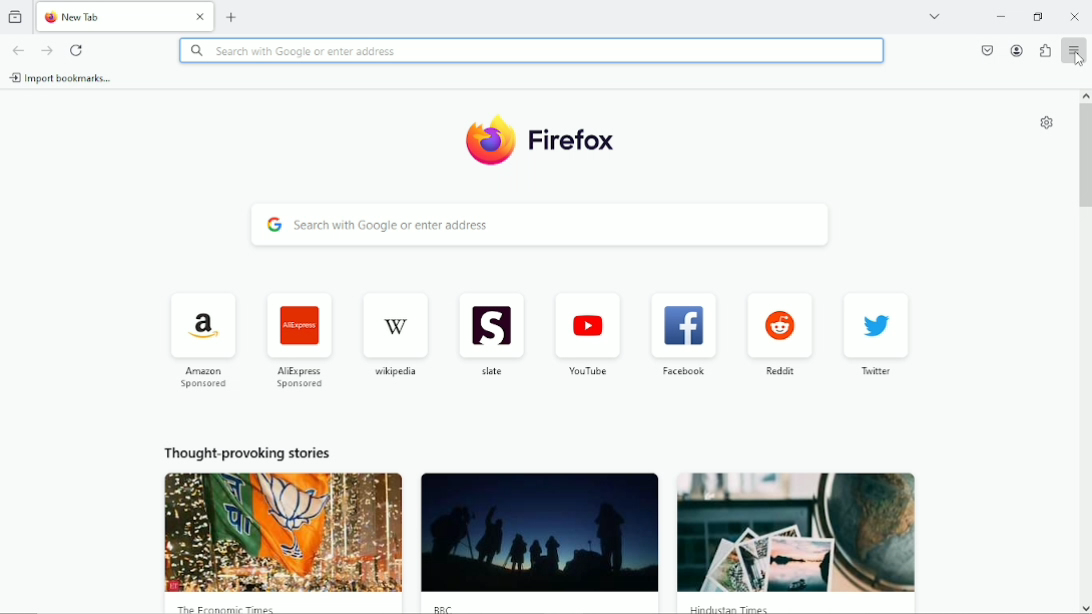 This screenshot has height=614, width=1092. What do you see at coordinates (441, 608) in the screenshot?
I see `BBC` at bounding box center [441, 608].